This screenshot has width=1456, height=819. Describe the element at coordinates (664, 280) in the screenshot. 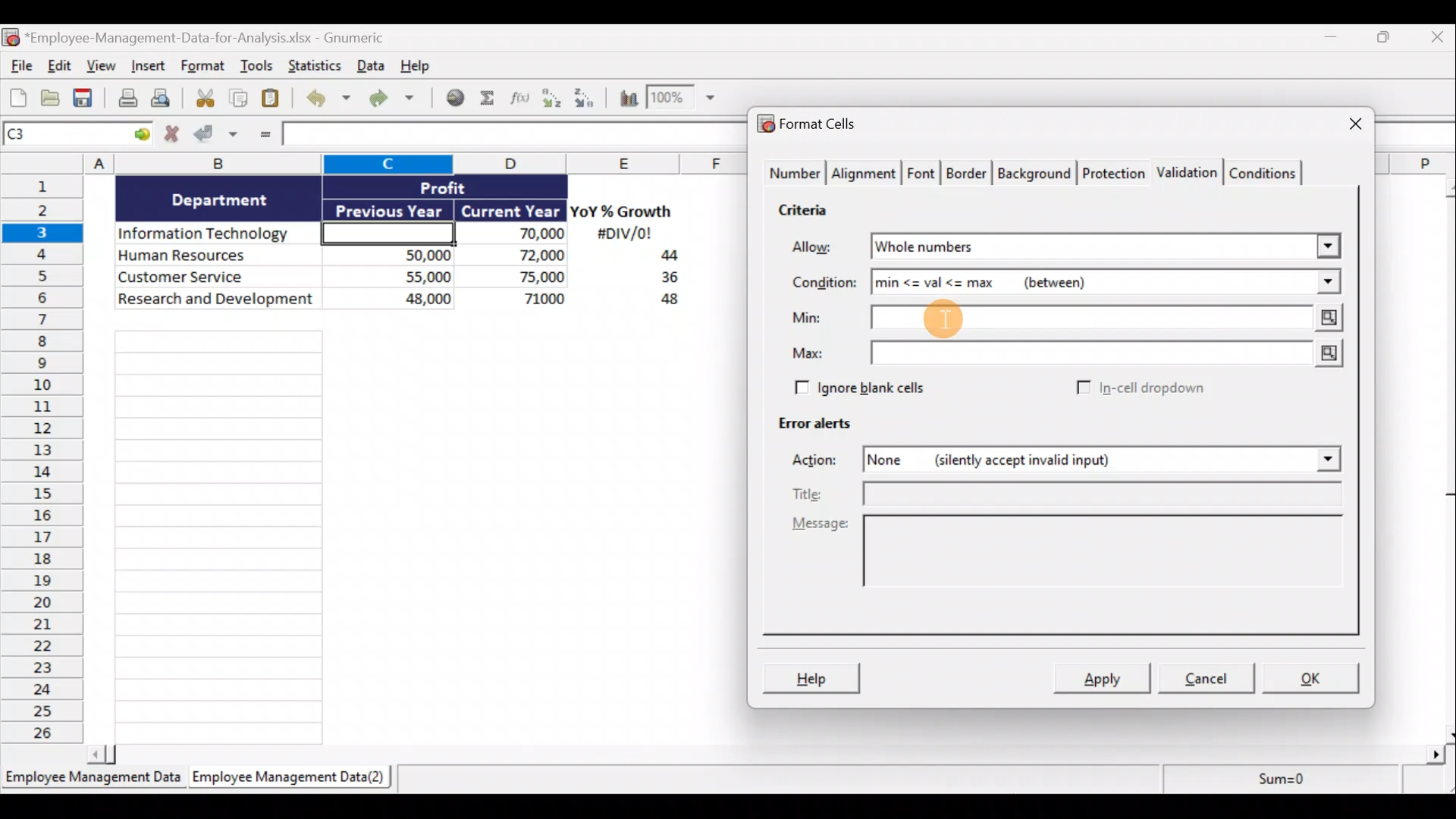

I see `36` at that location.